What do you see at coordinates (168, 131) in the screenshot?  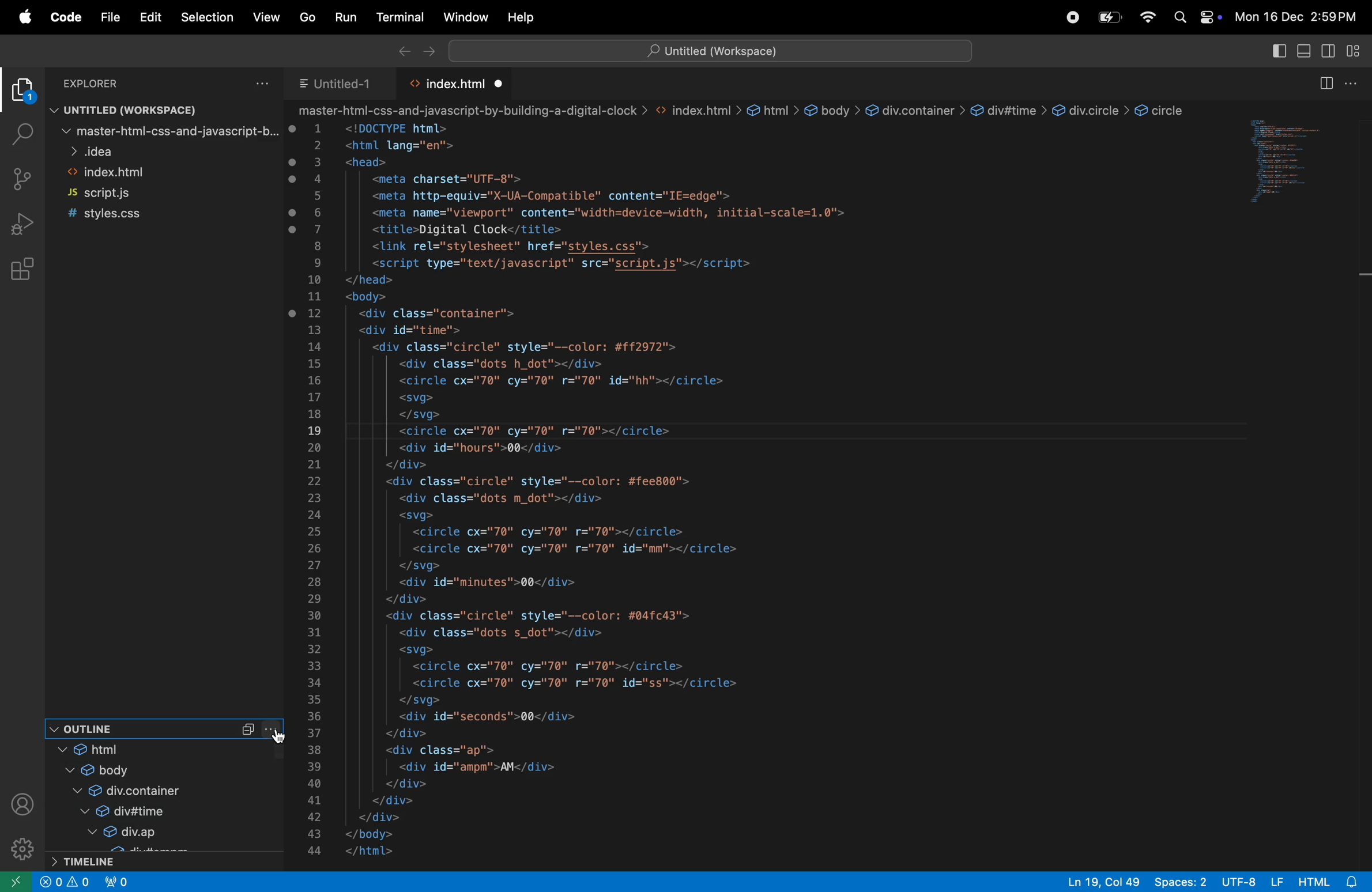 I see `master file` at bounding box center [168, 131].